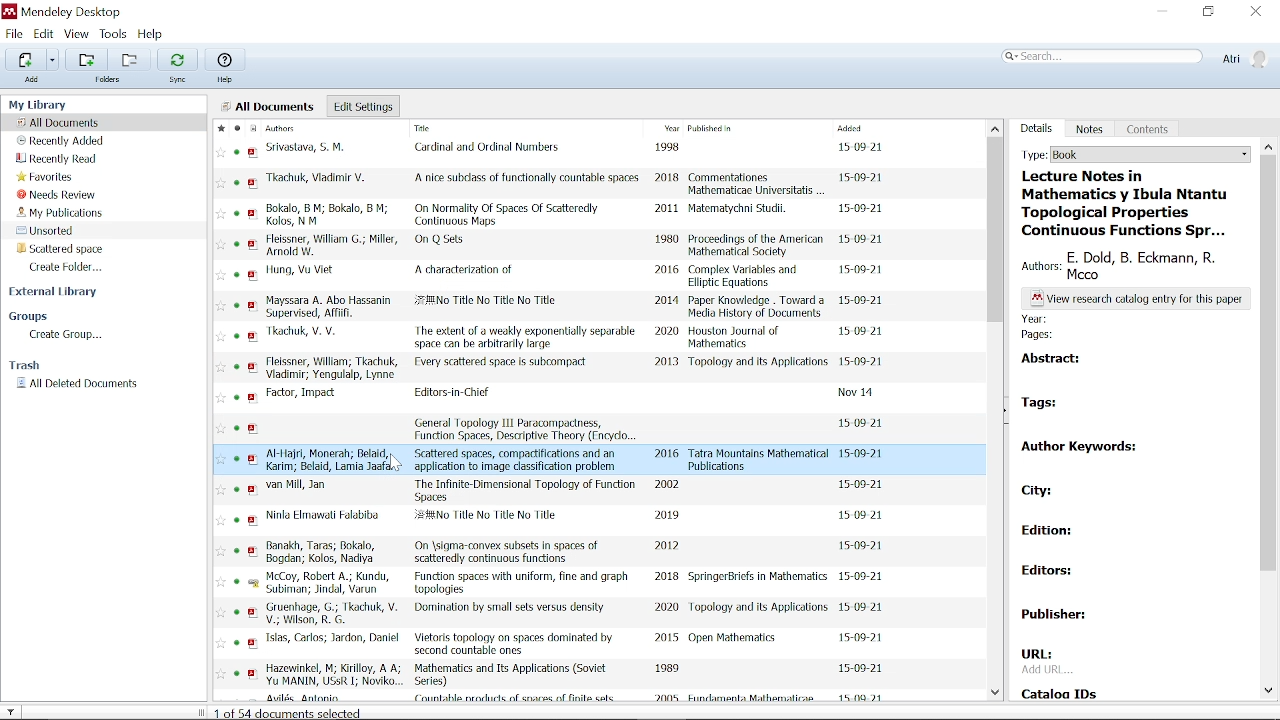 The width and height of the screenshot is (1280, 720). Describe the element at coordinates (667, 363) in the screenshot. I see `2013` at that location.